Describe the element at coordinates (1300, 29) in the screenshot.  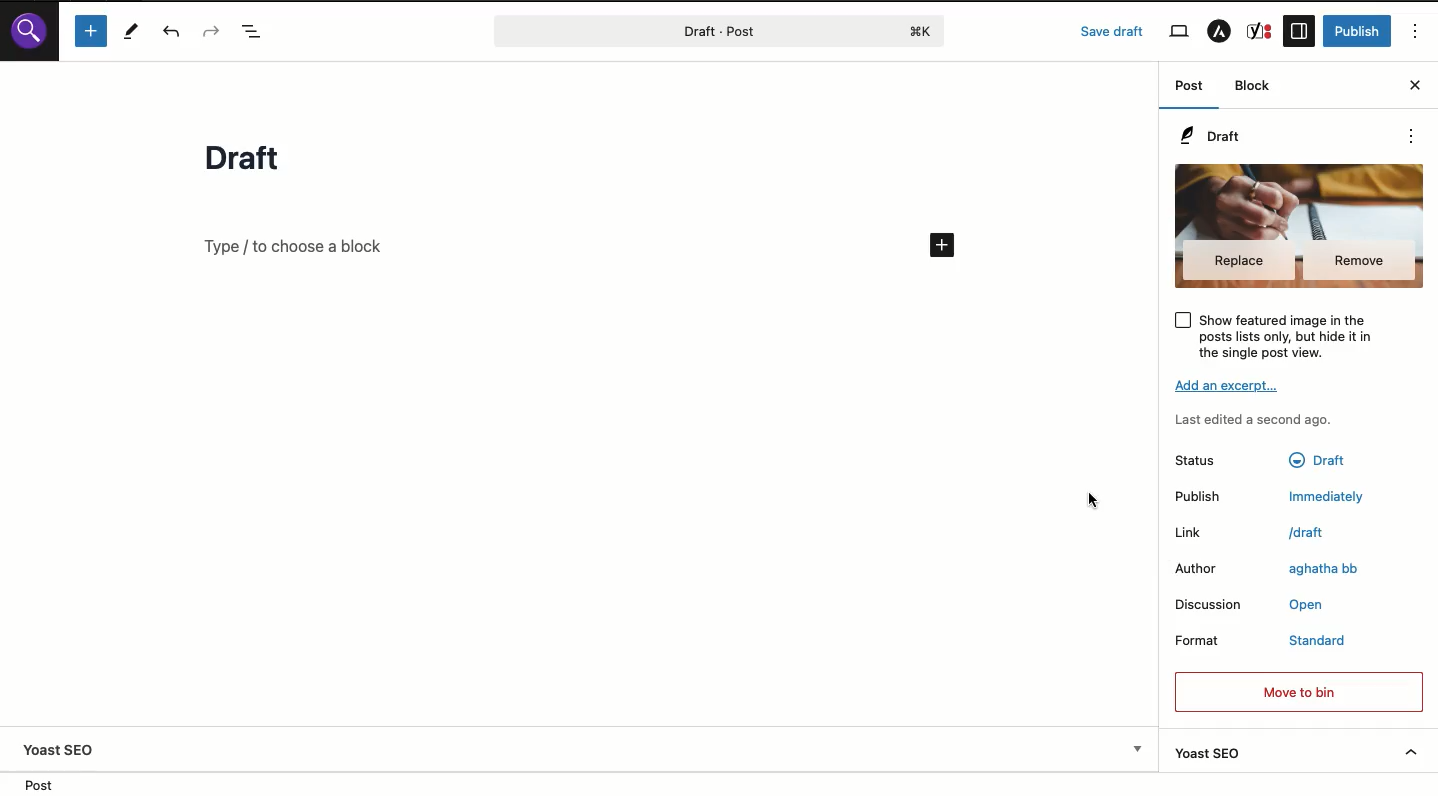
I see `Sidebar` at that location.